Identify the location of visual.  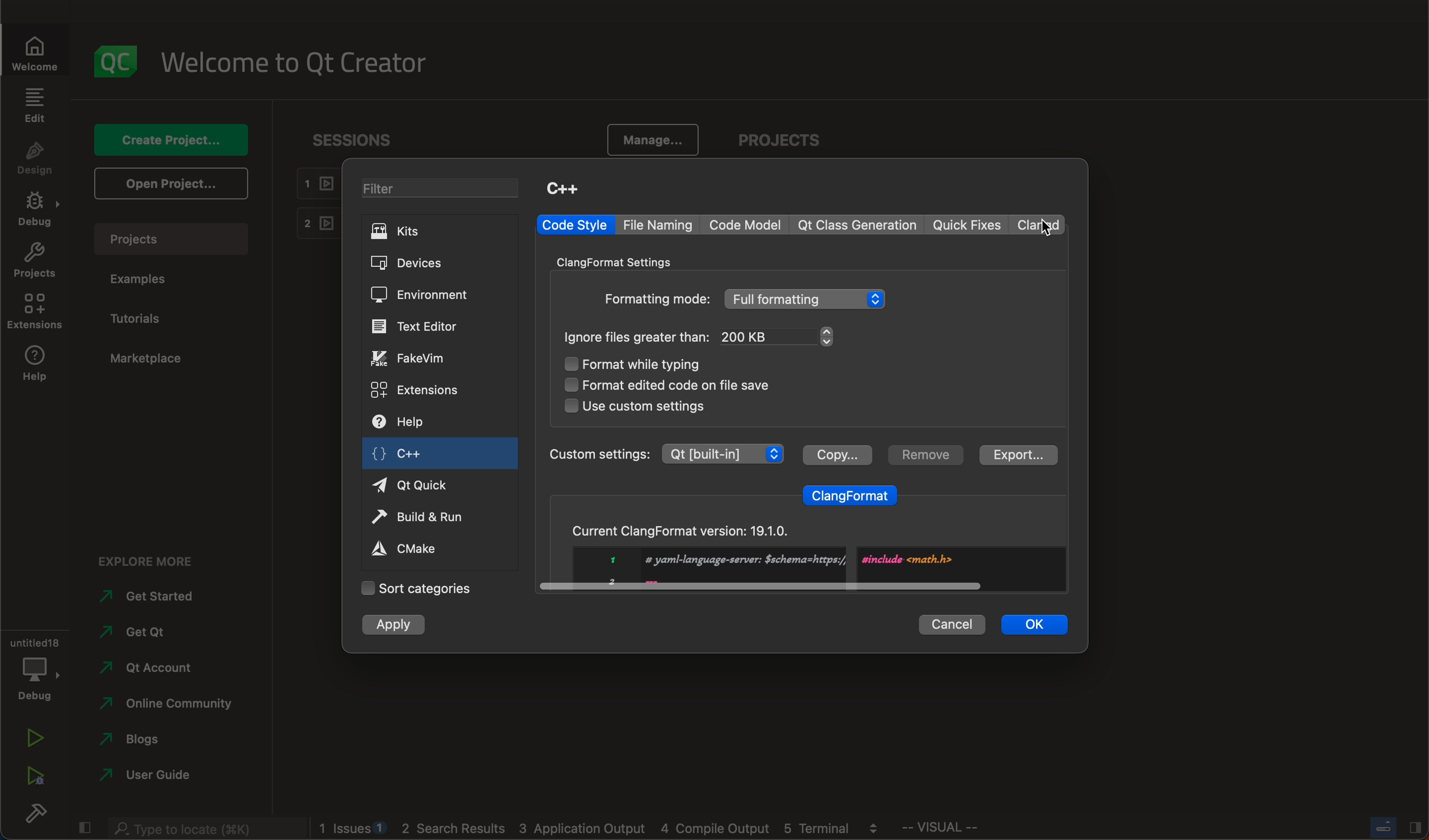
(954, 828).